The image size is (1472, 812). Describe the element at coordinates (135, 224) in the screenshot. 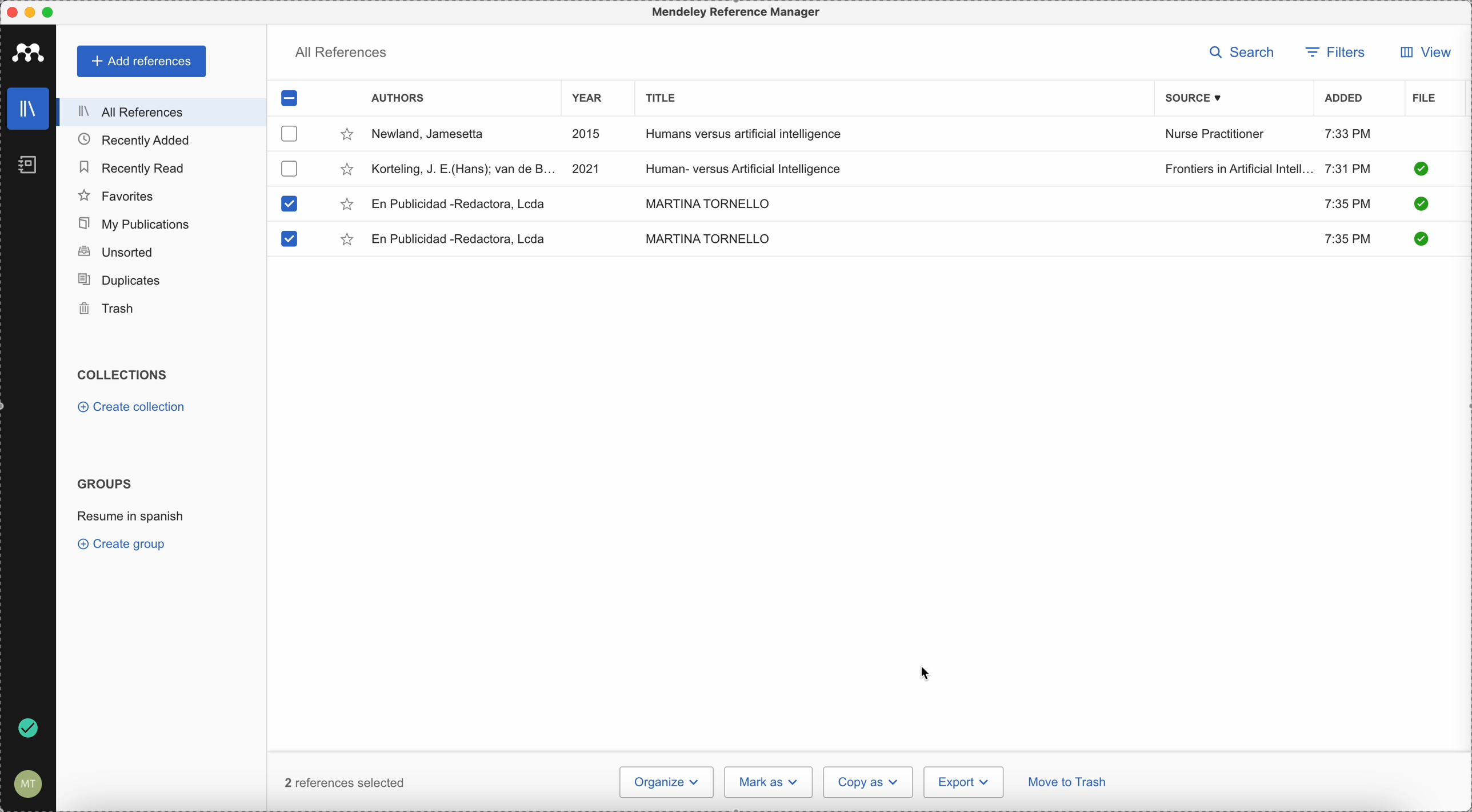

I see `my publications` at that location.